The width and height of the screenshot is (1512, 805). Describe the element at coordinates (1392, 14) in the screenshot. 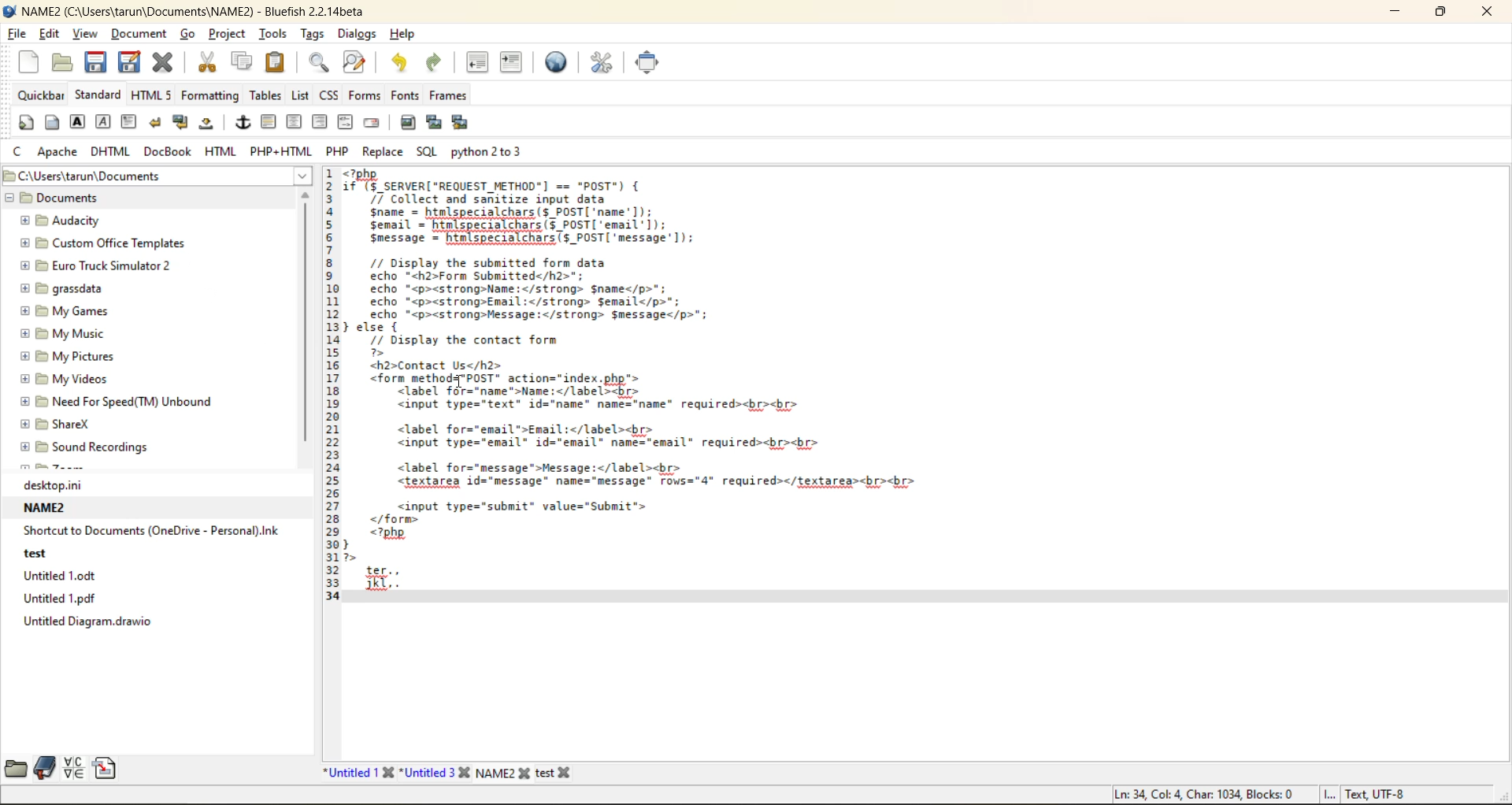

I see `minimize` at that location.